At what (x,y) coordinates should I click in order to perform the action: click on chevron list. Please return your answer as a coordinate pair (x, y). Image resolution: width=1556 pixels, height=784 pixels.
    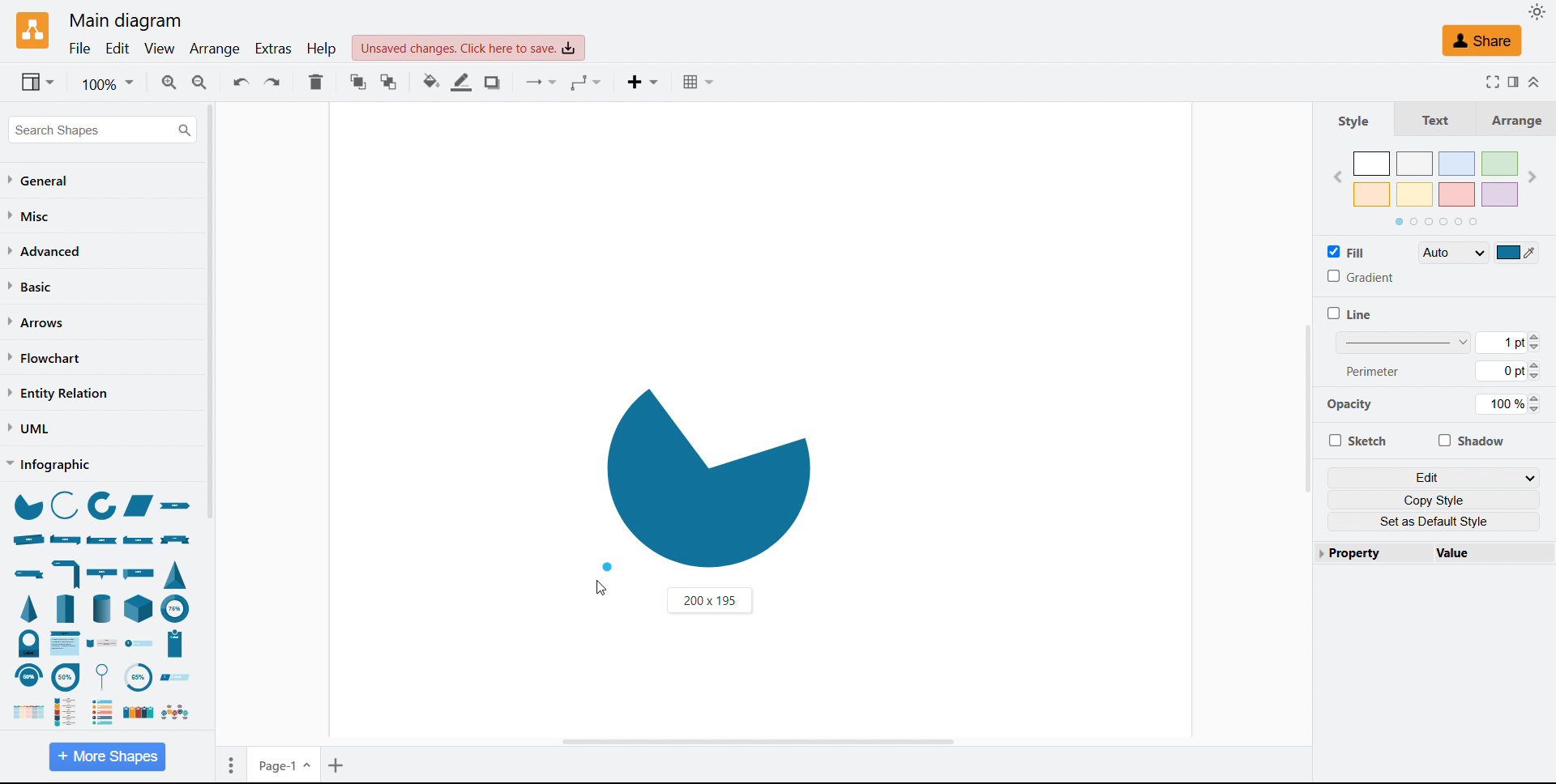
    Looking at the image, I should click on (66, 643).